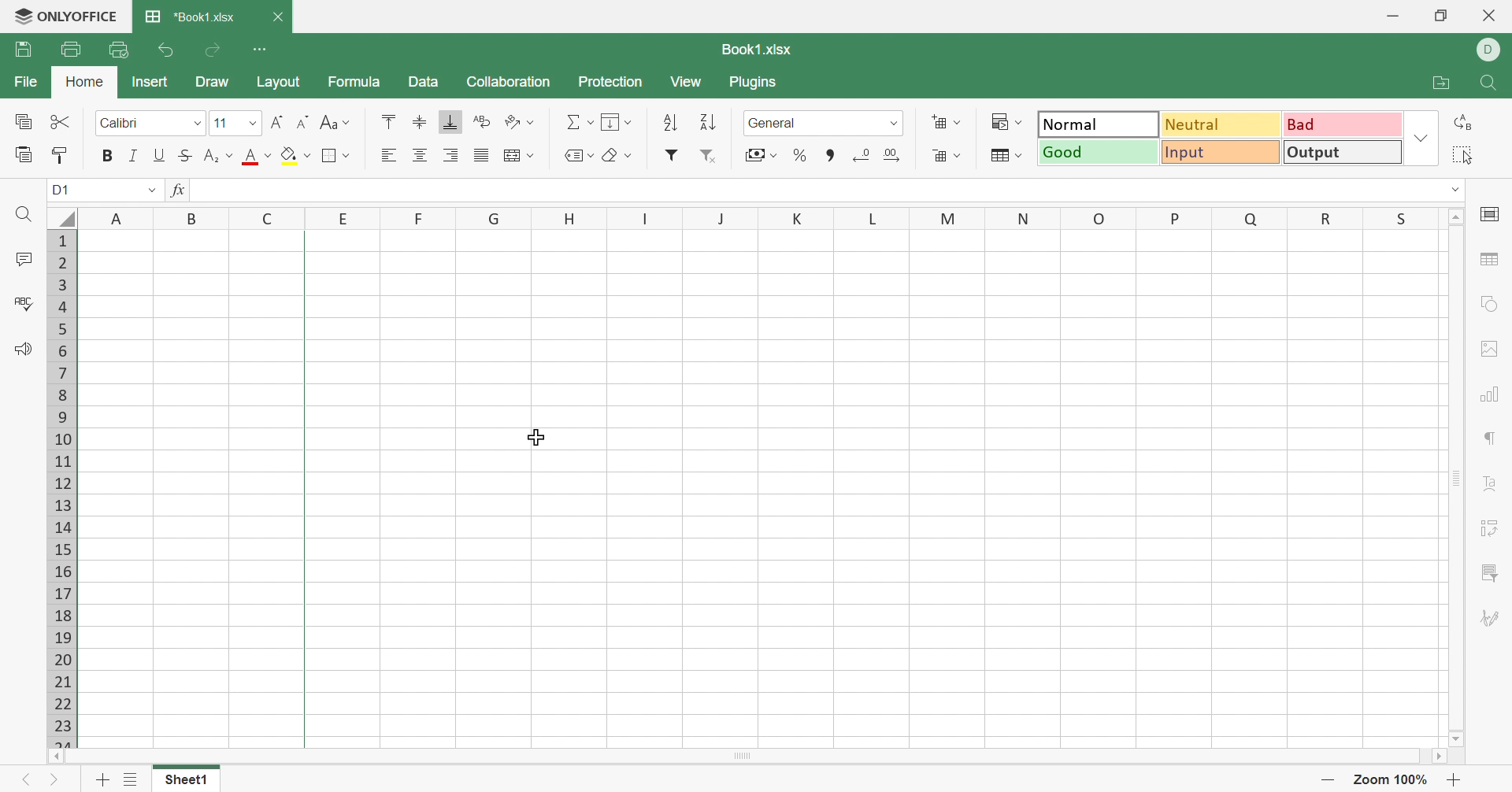 This screenshot has height=792, width=1512. Describe the element at coordinates (610, 120) in the screenshot. I see `Fill` at that location.